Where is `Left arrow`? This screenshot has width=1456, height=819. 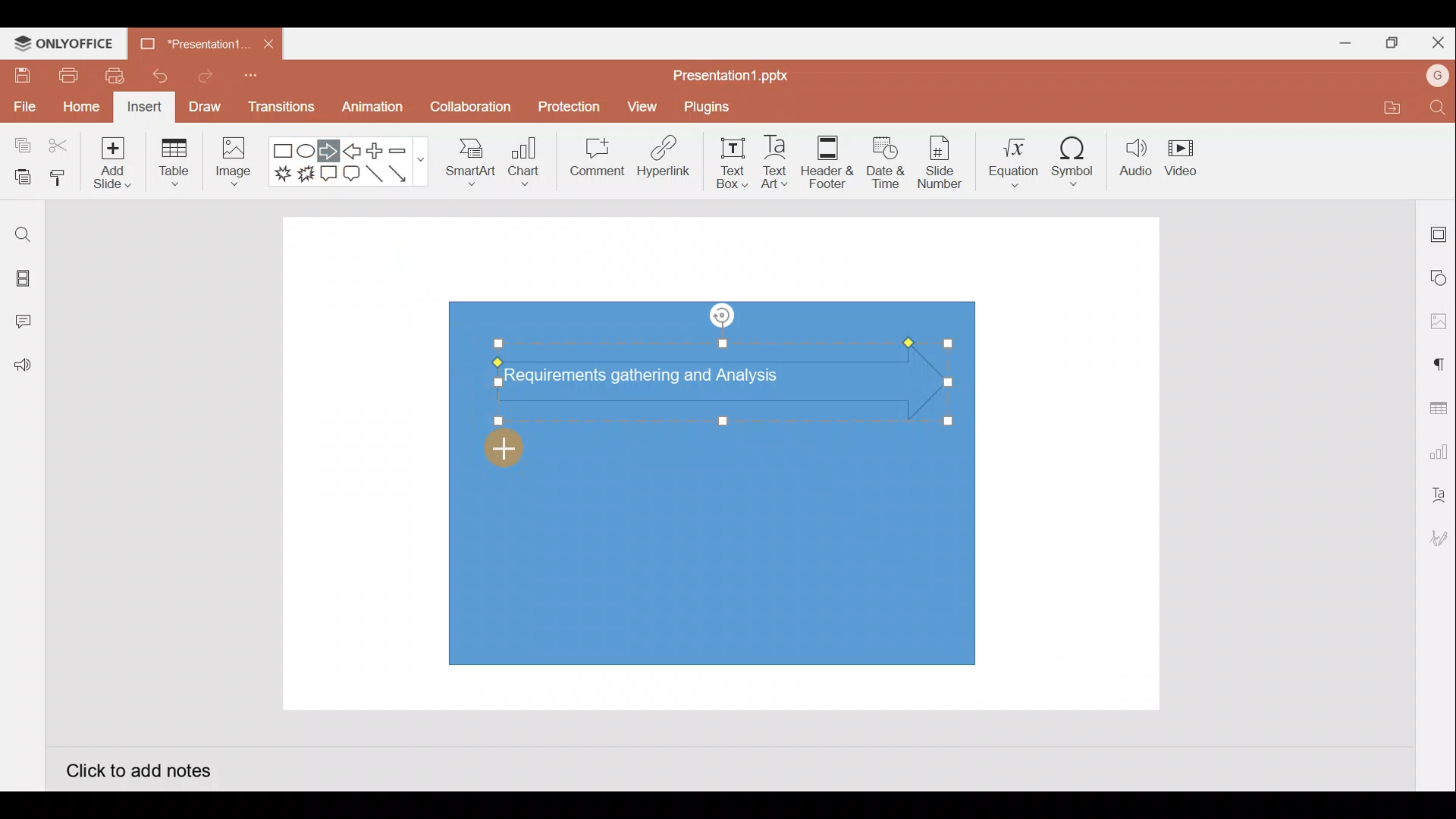
Left arrow is located at coordinates (353, 151).